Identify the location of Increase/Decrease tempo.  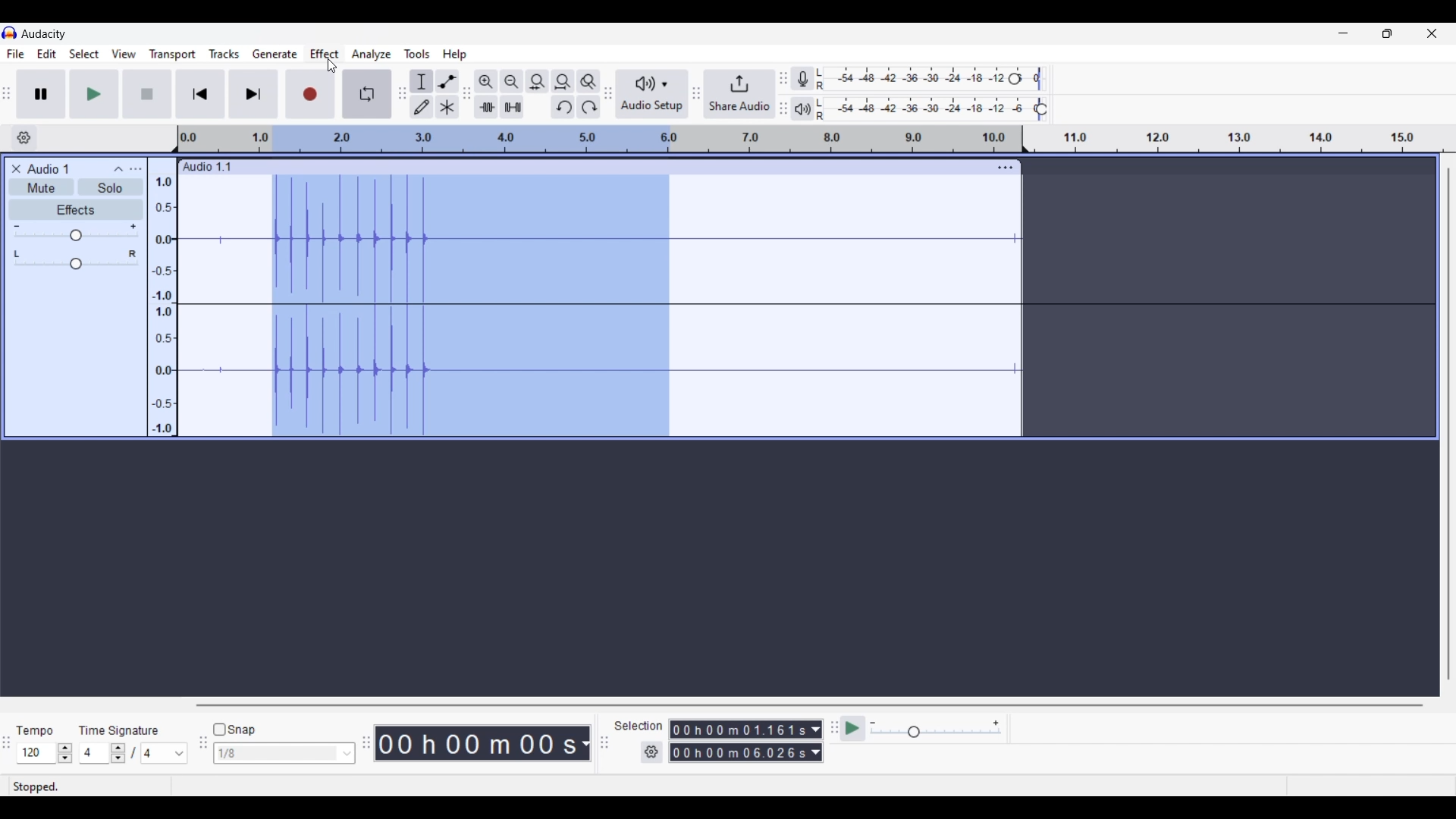
(64, 754).